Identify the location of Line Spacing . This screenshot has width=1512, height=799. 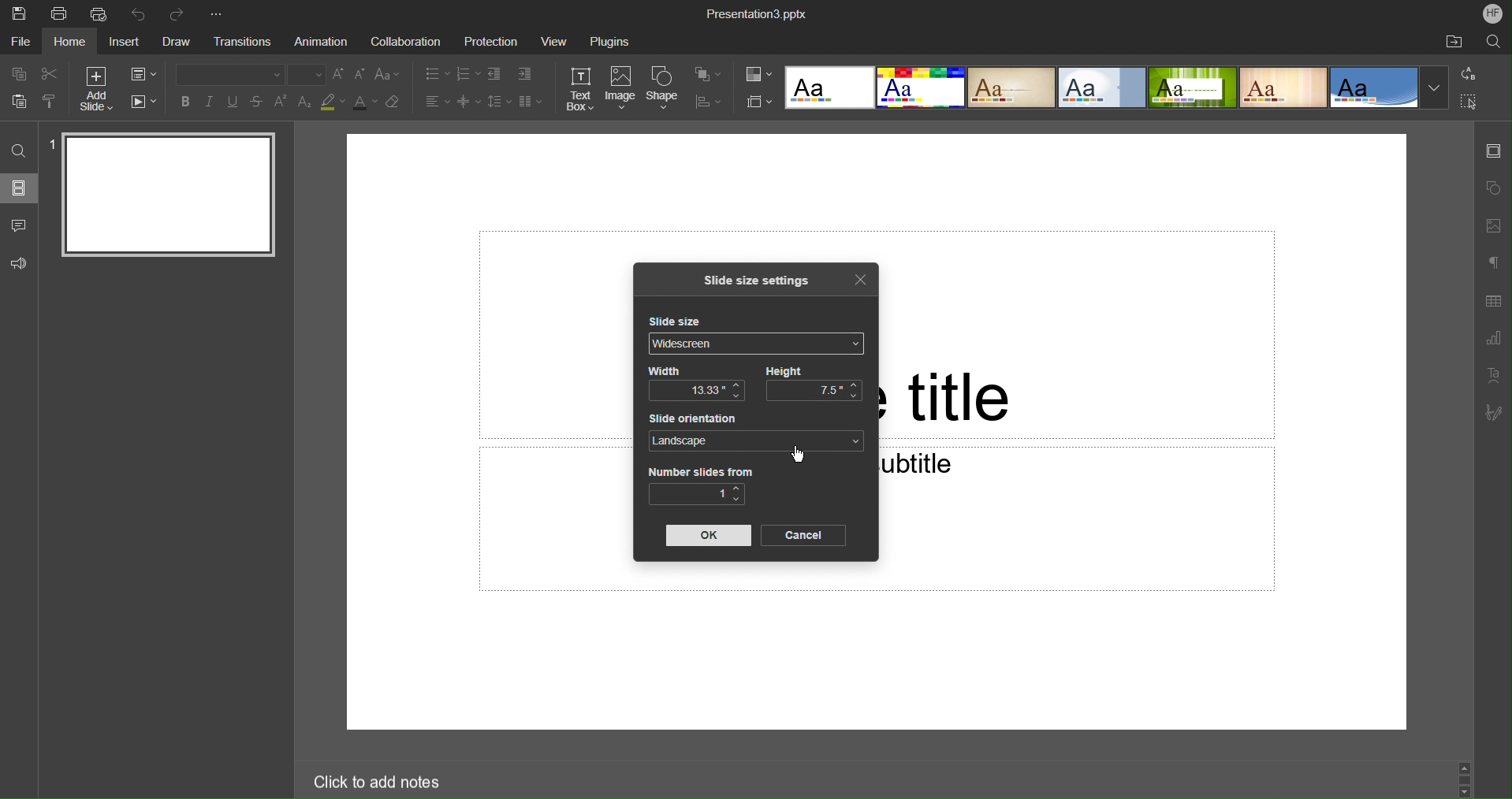
(497, 102).